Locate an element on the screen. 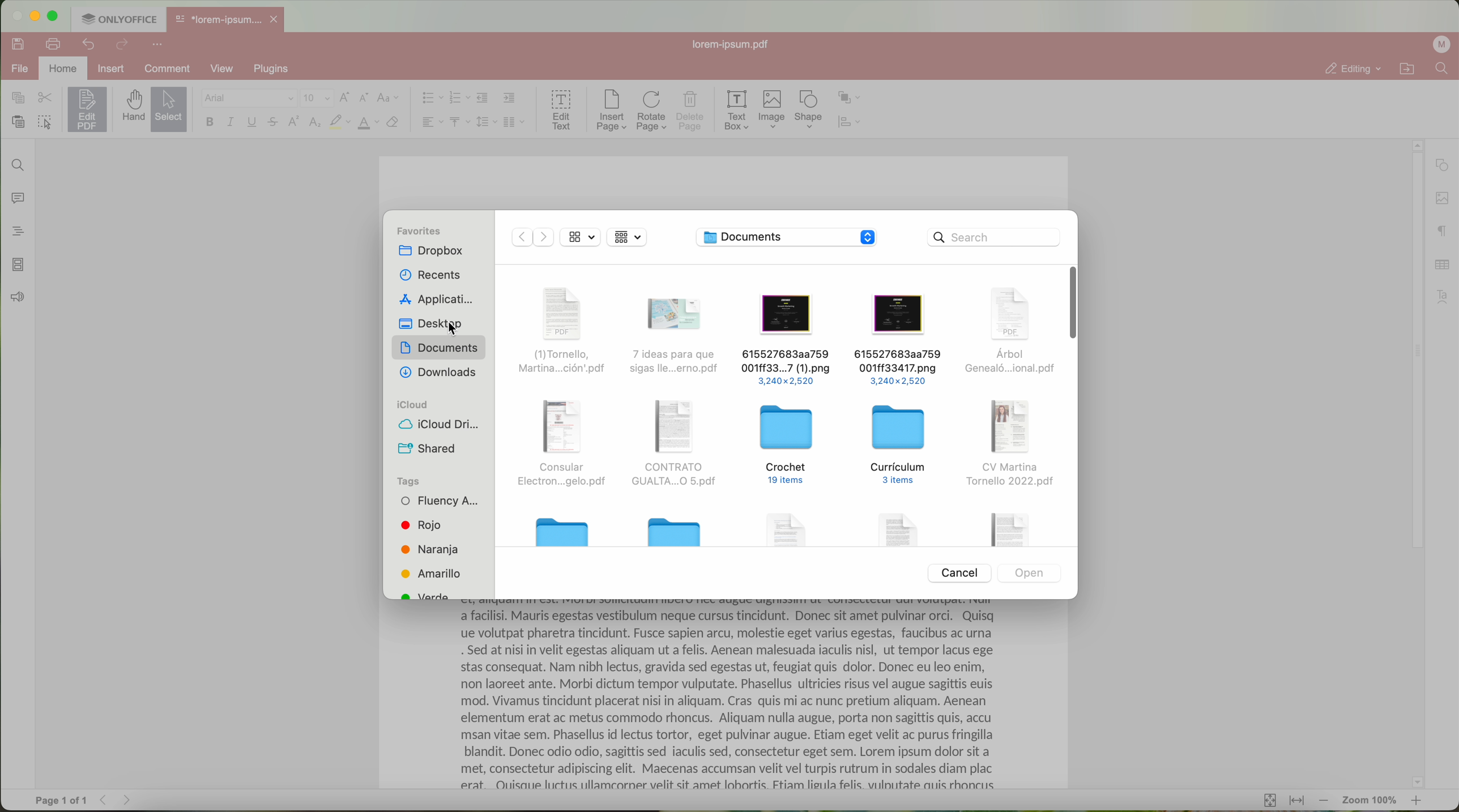  rotate page is located at coordinates (652, 112).